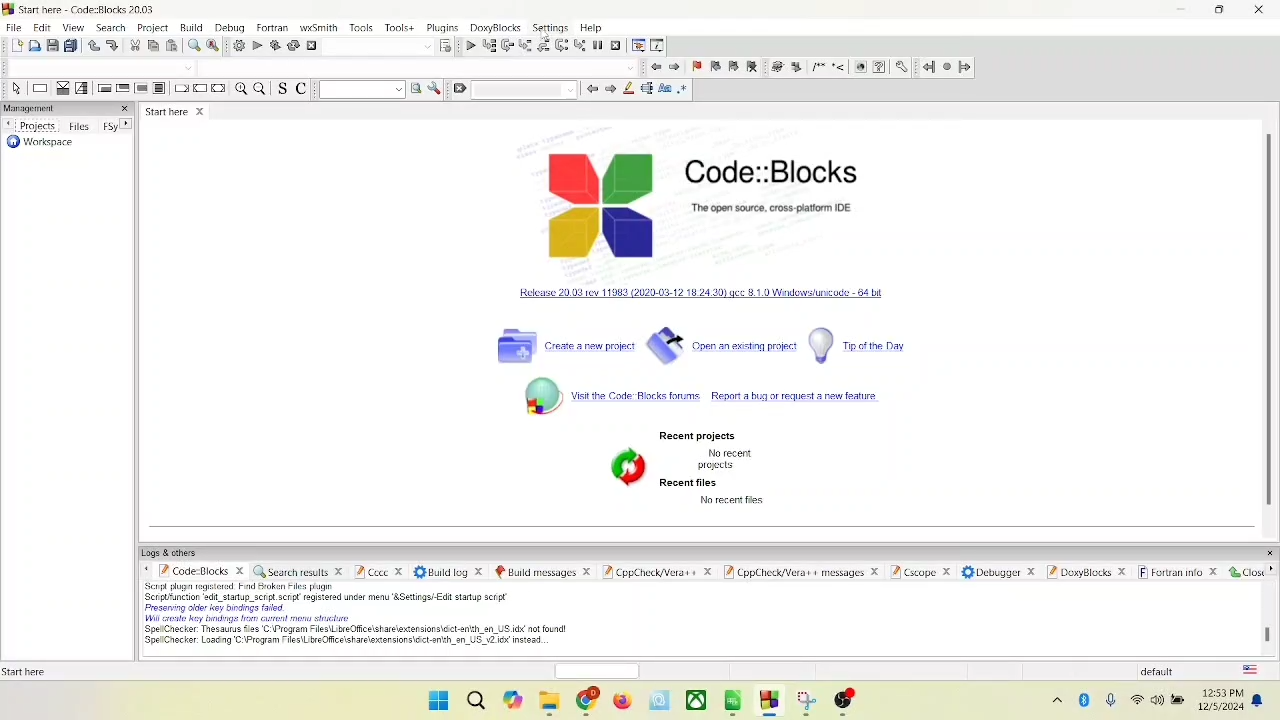 Image resolution: width=1280 pixels, height=720 pixels. I want to click on code::blocks, so click(189, 572).